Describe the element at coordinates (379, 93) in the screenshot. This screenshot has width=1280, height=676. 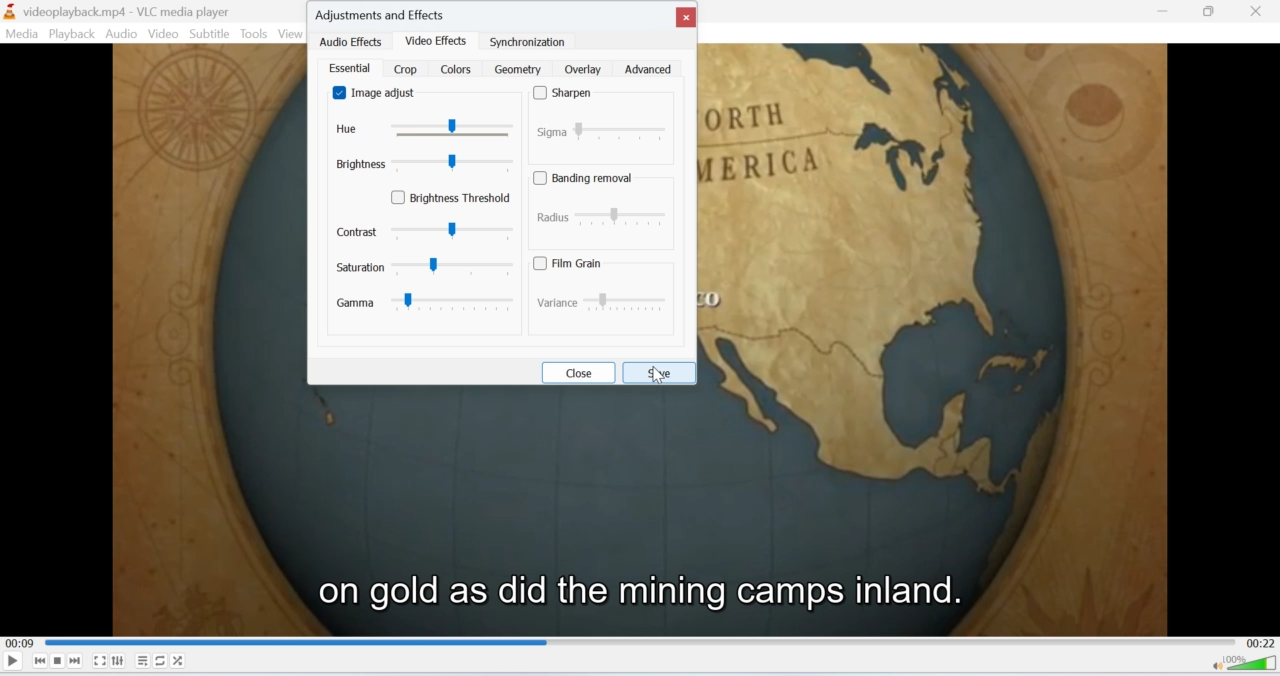
I see `image adjust` at that location.